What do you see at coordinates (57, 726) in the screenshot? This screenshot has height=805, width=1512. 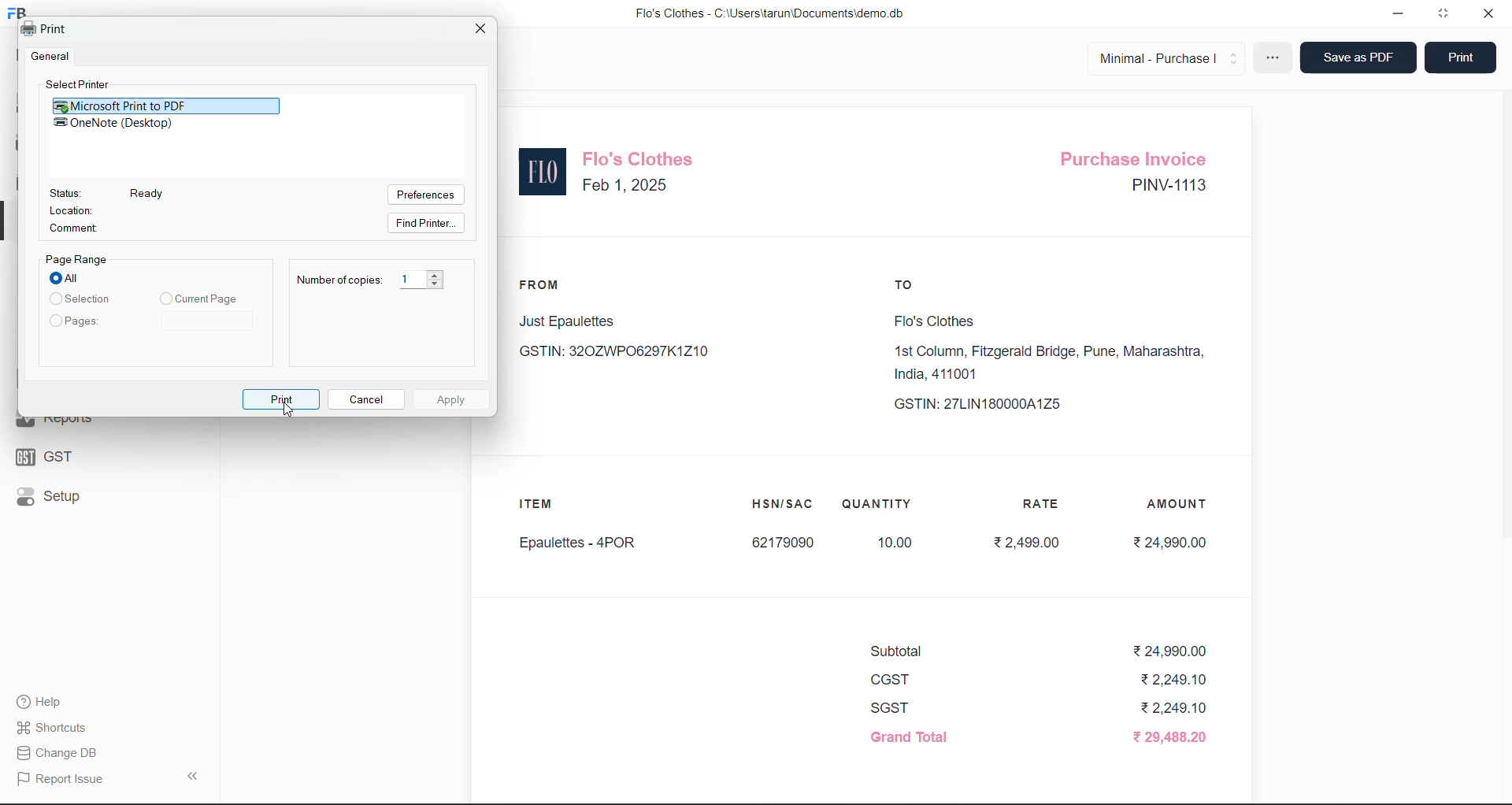 I see `Shortcuts.` at bounding box center [57, 726].